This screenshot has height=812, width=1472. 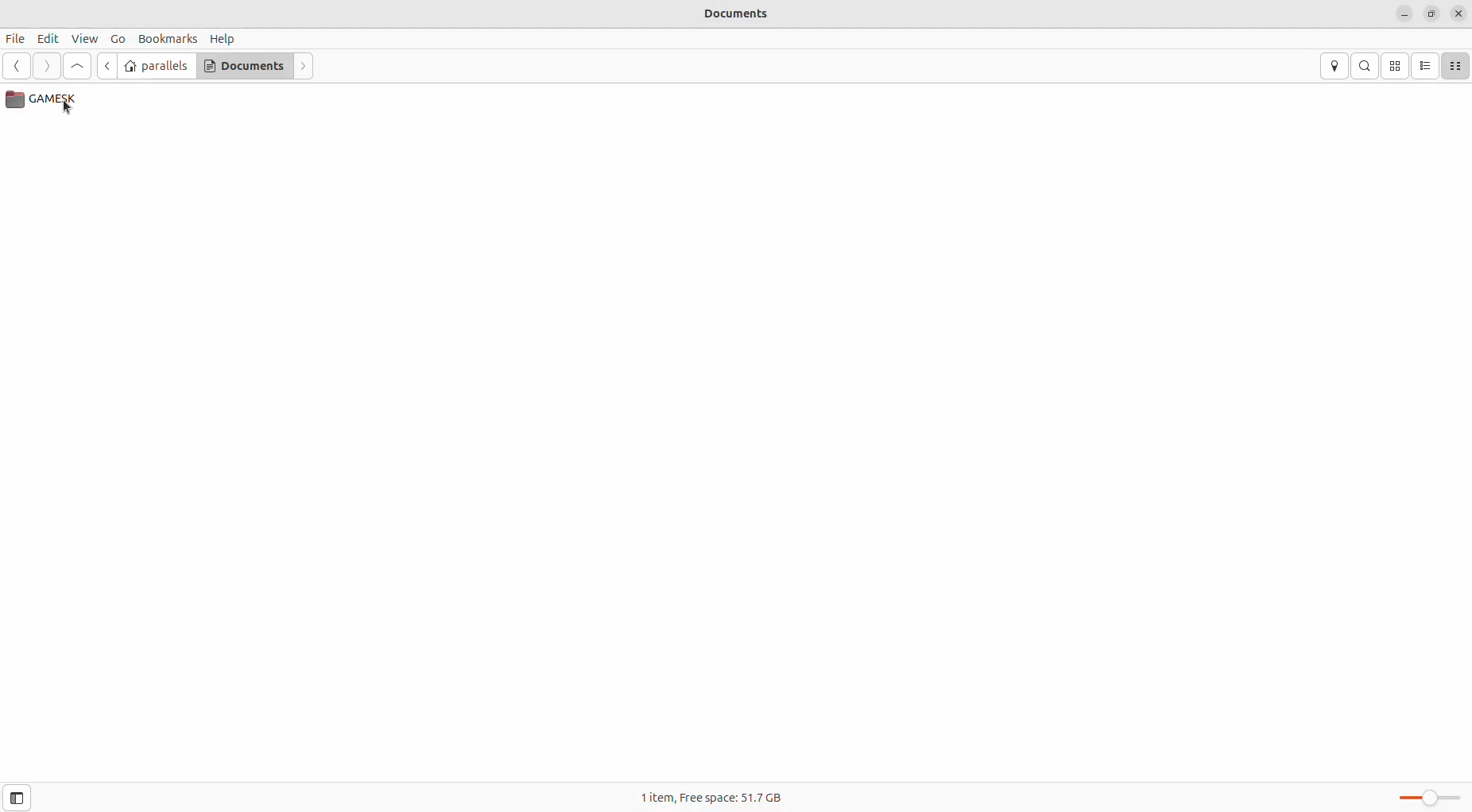 What do you see at coordinates (169, 39) in the screenshot?
I see `Bookmarks` at bounding box center [169, 39].